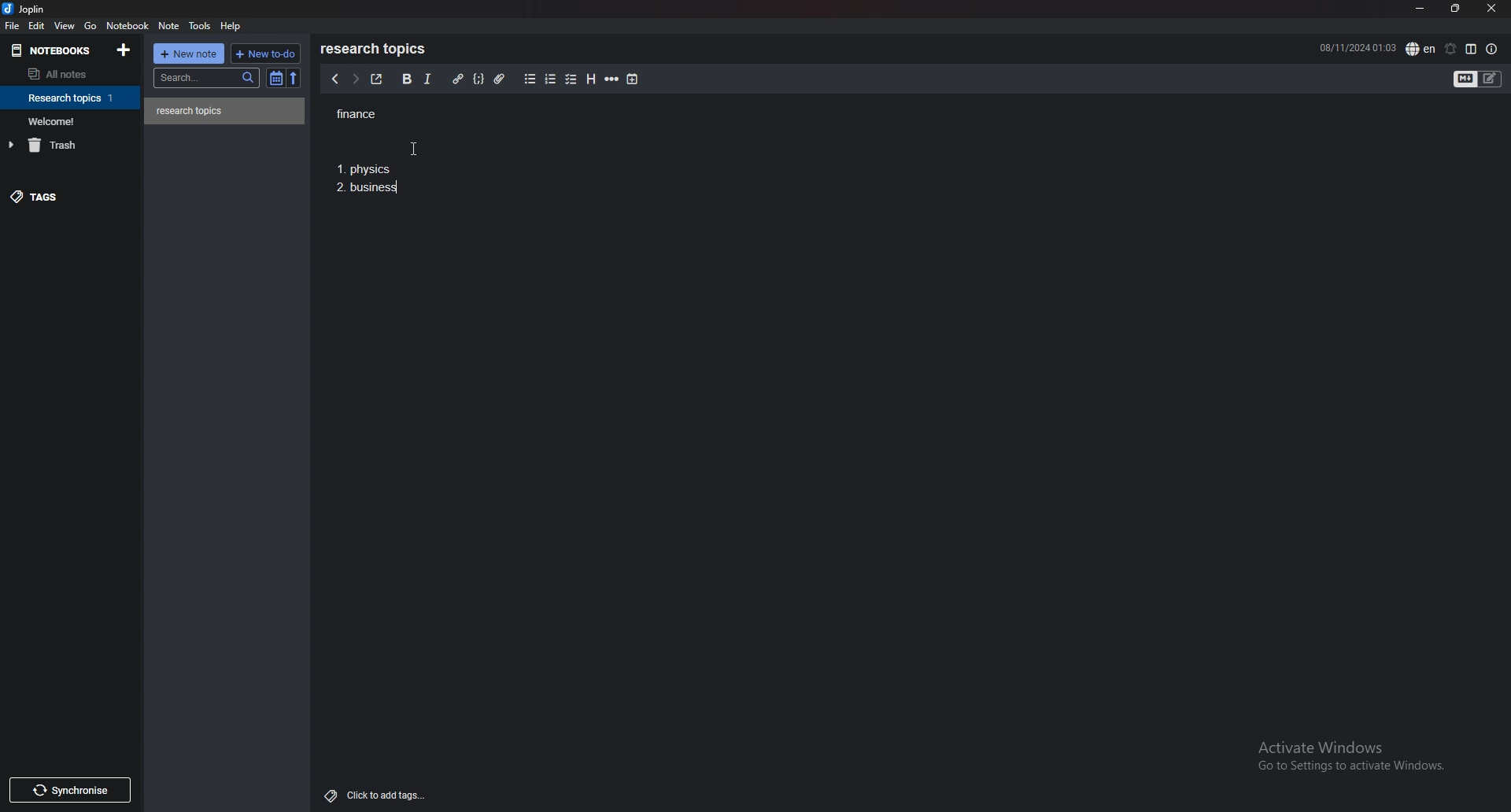  Describe the element at coordinates (123, 50) in the screenshot. I see `add notebook` at that location.